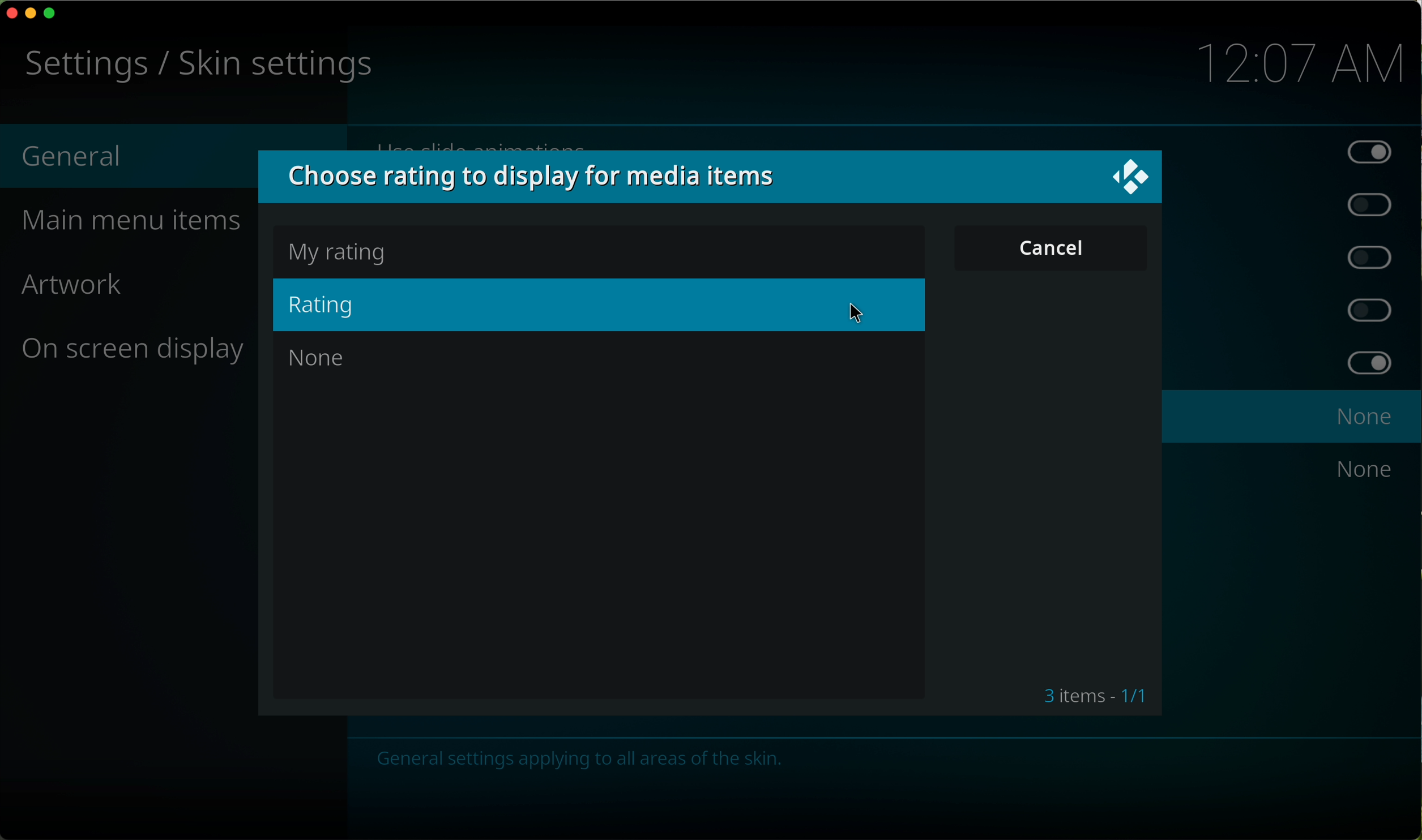  What do you see at coordinates (74, 153) in the screenshot?
I see `general` at bounding box center [74, 153].